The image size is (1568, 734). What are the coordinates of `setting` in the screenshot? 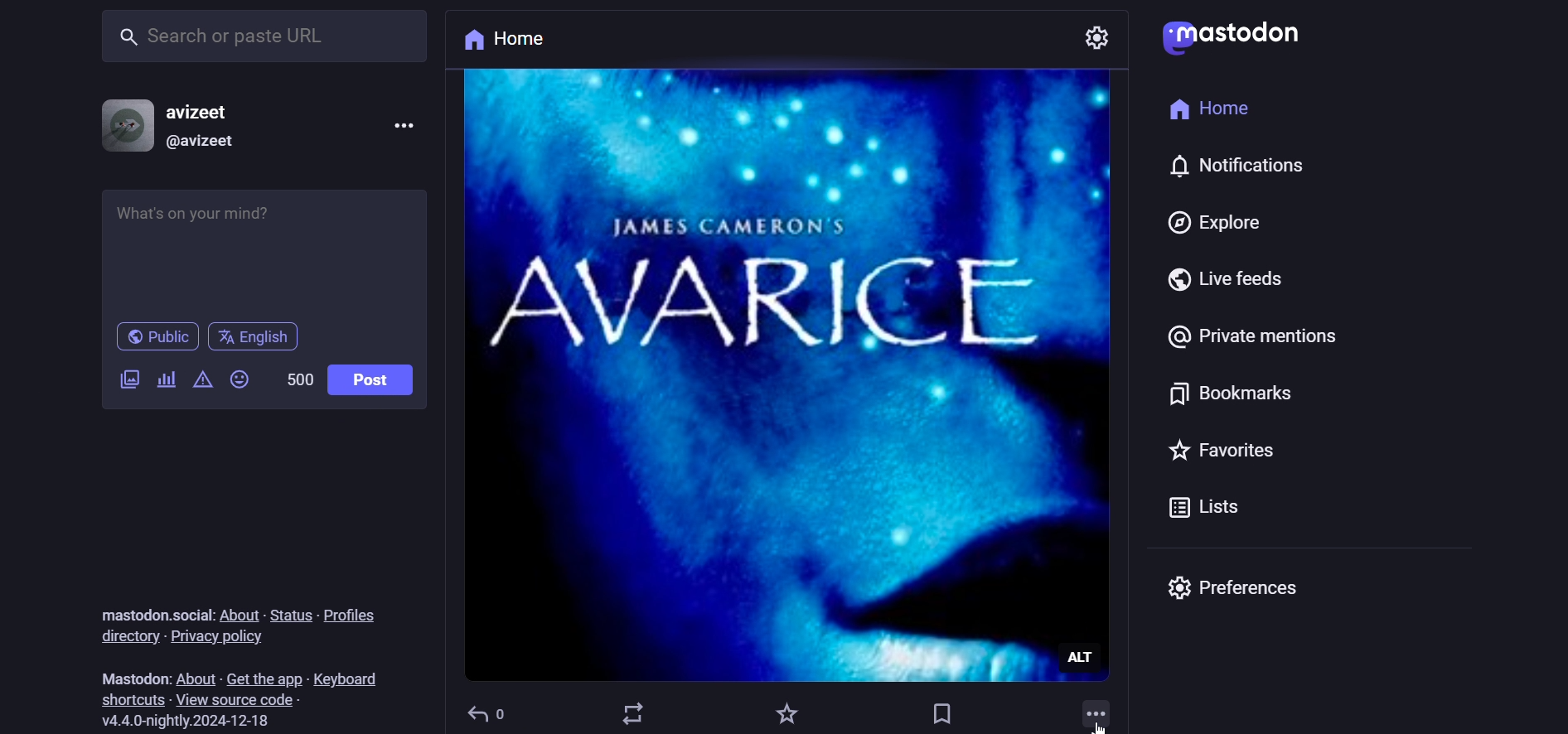 It's located at (1100, 36).